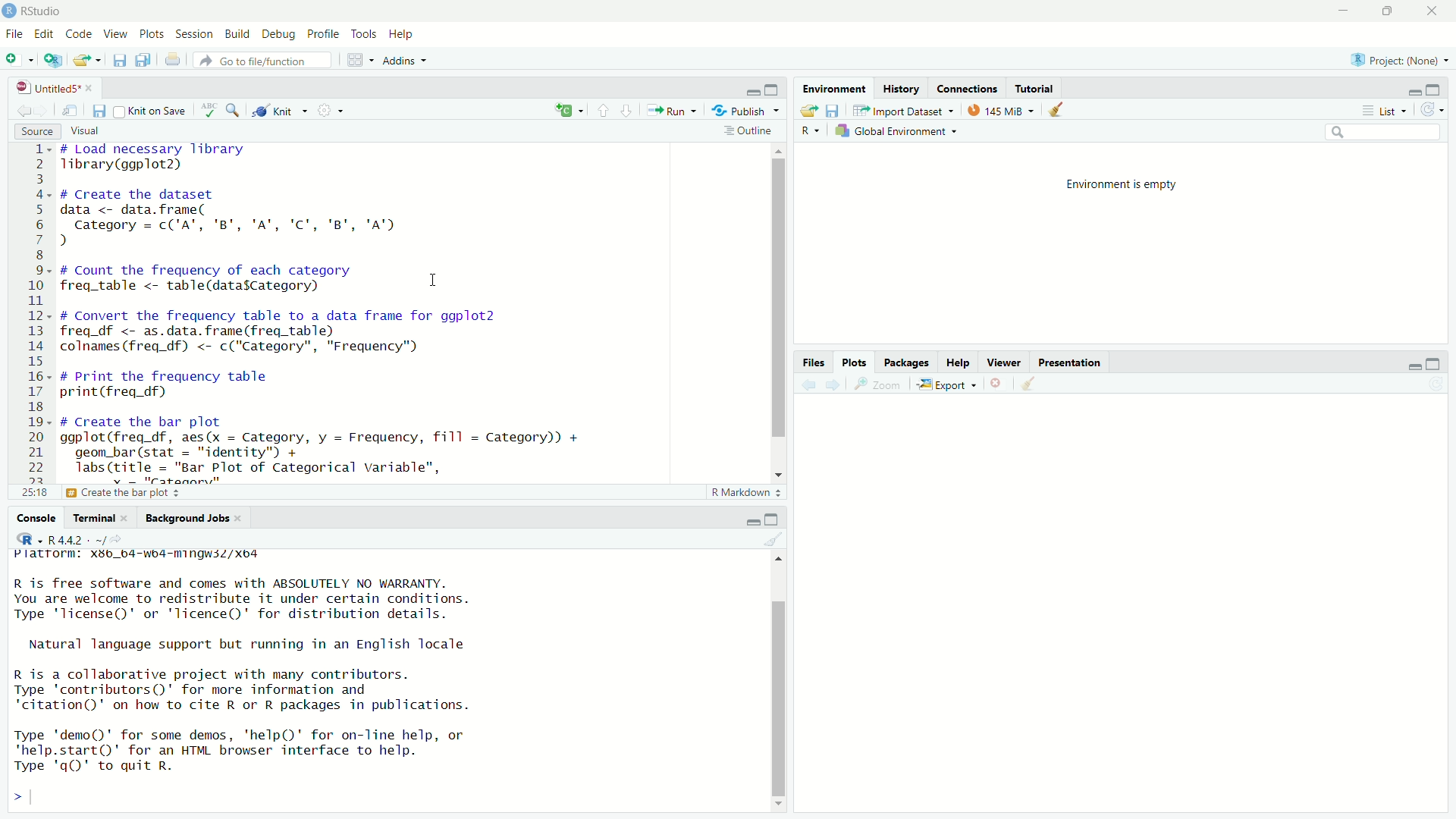  What do you see at coordinates (958, 363) in the screenshot?
I see `help` at bounding box center [958, 363].